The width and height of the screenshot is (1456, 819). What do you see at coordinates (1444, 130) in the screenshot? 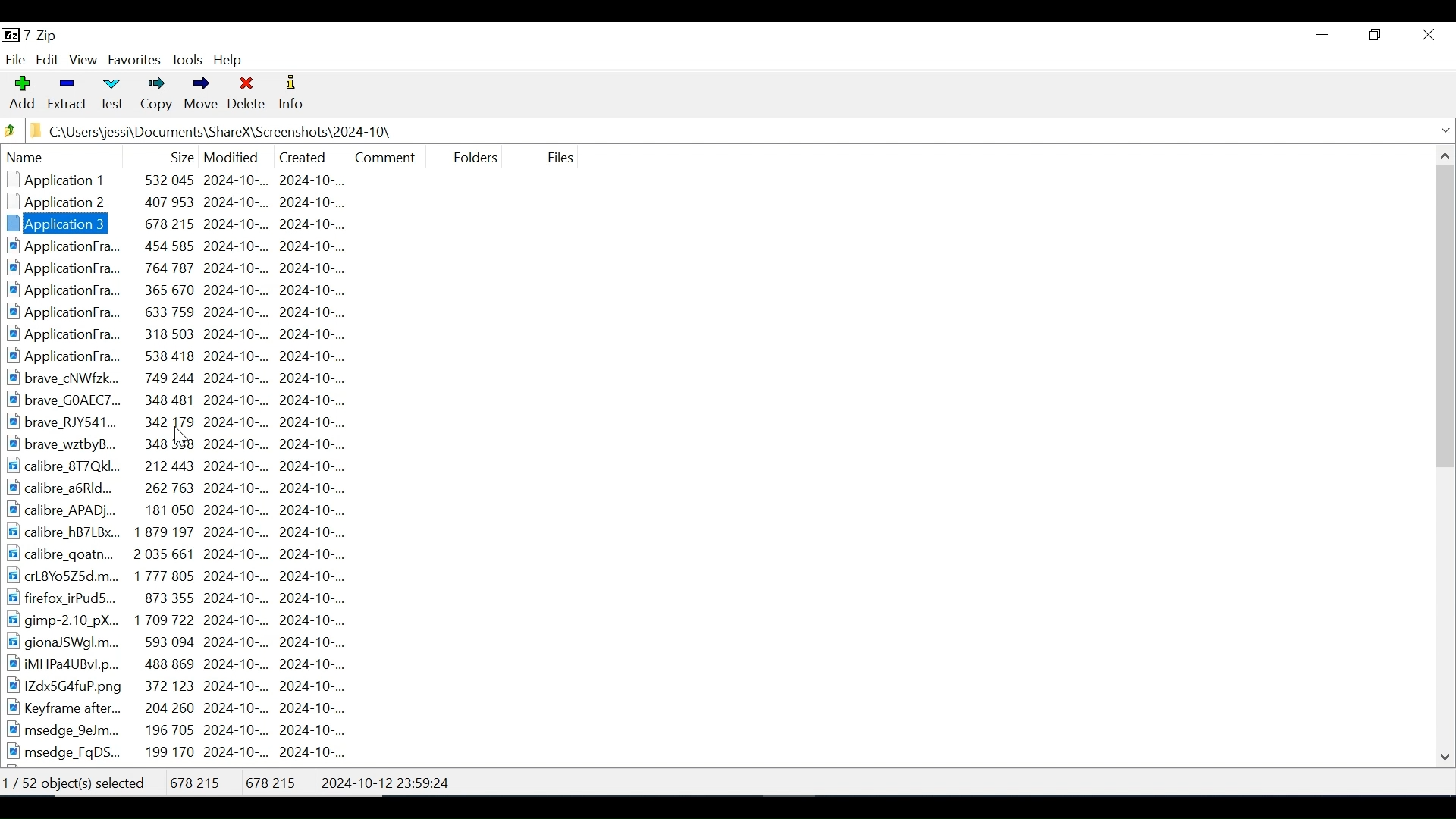
I see `Expand` at bounding box center [1444, 130].